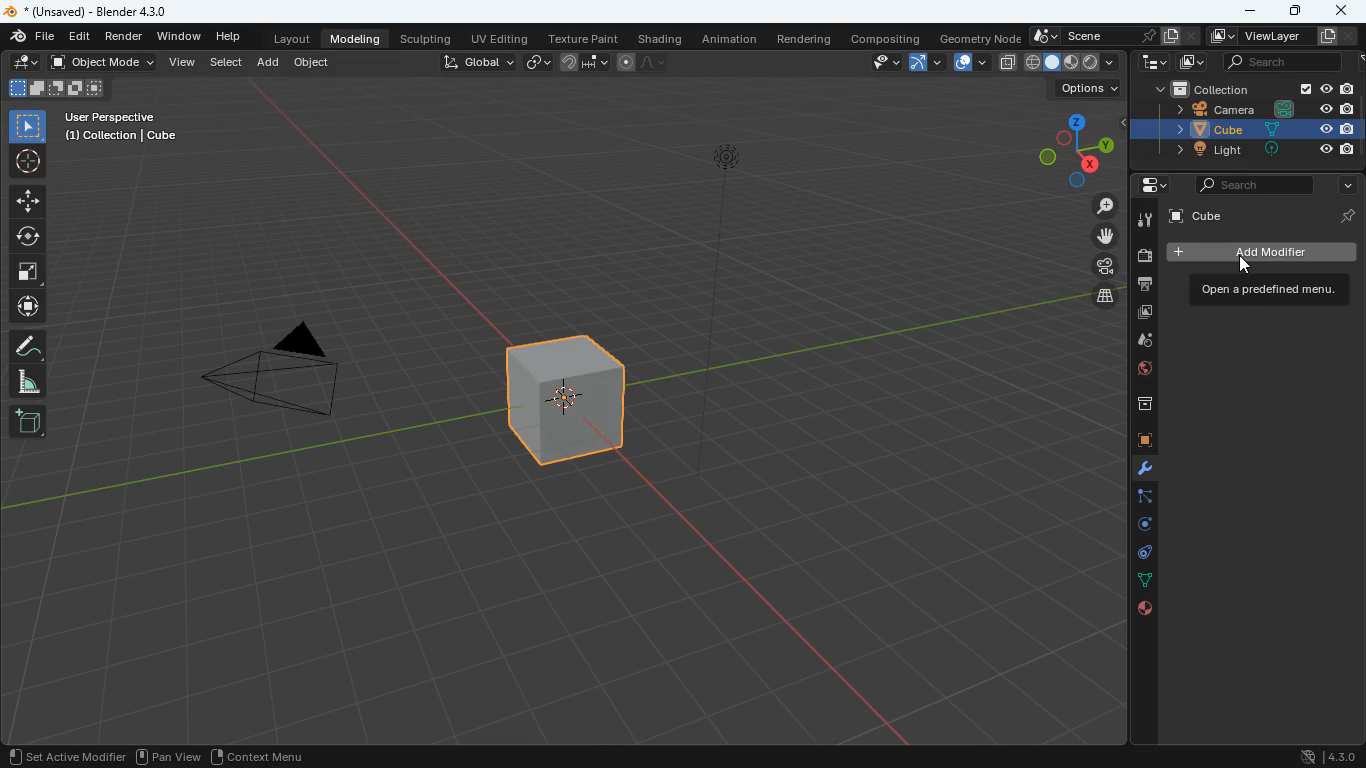 Image resolution: width=1366 pixels, height=768 pixels. I want to click on seaarch, so click(1287, 61).